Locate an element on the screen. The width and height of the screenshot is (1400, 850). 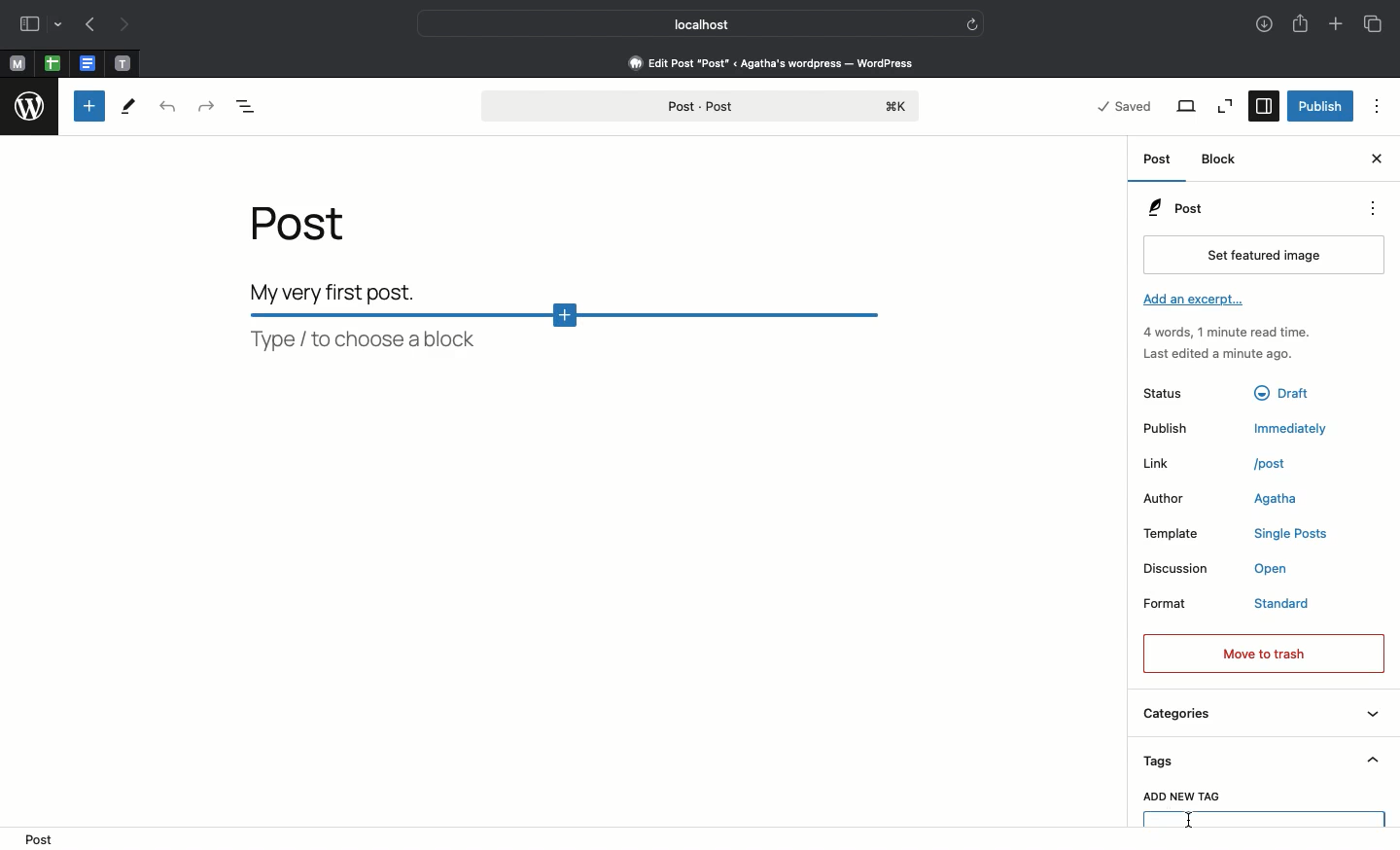
Tags is located at coordinates (1265, 761).